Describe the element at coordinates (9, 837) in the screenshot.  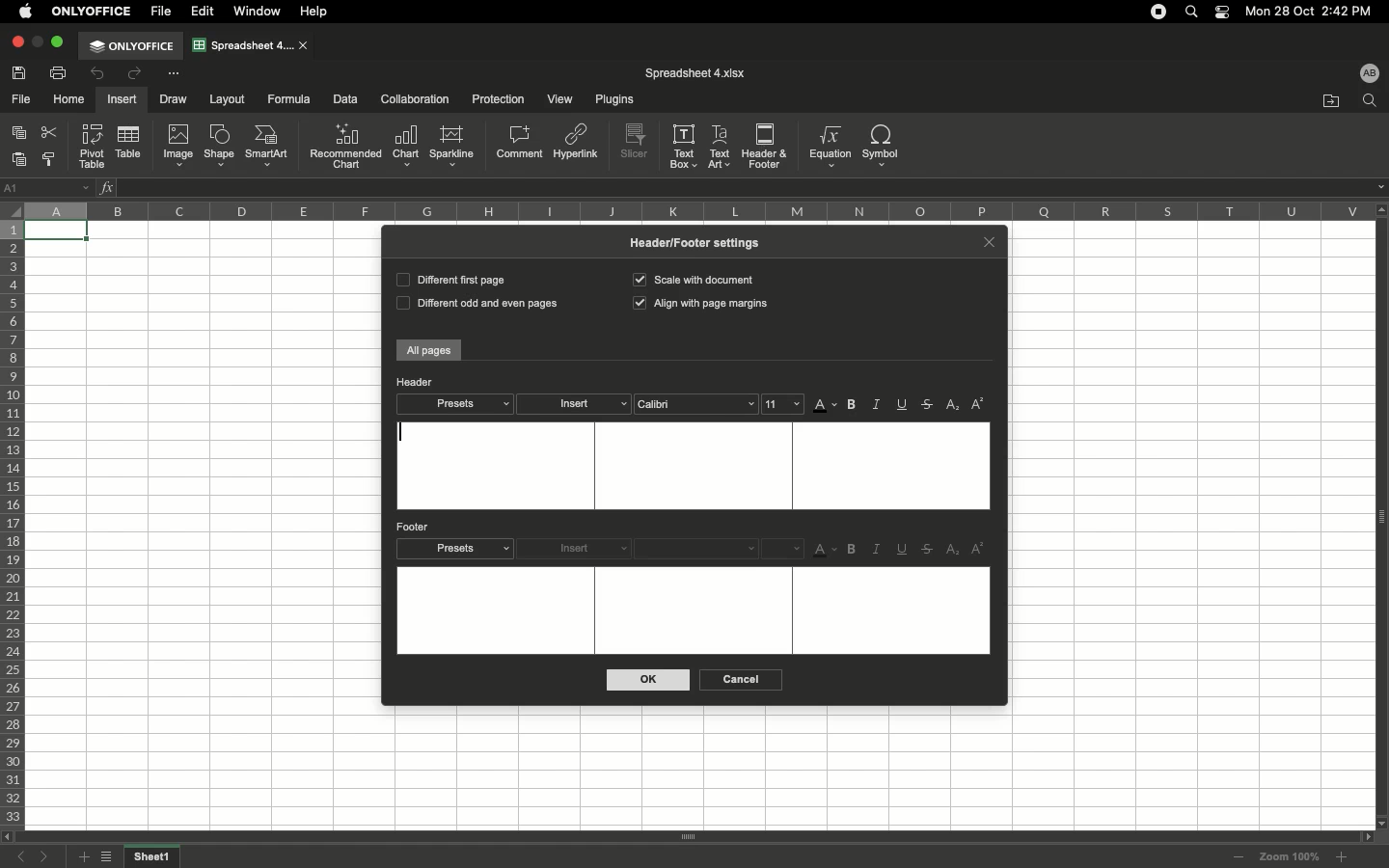
I see `scroll left` at that location.